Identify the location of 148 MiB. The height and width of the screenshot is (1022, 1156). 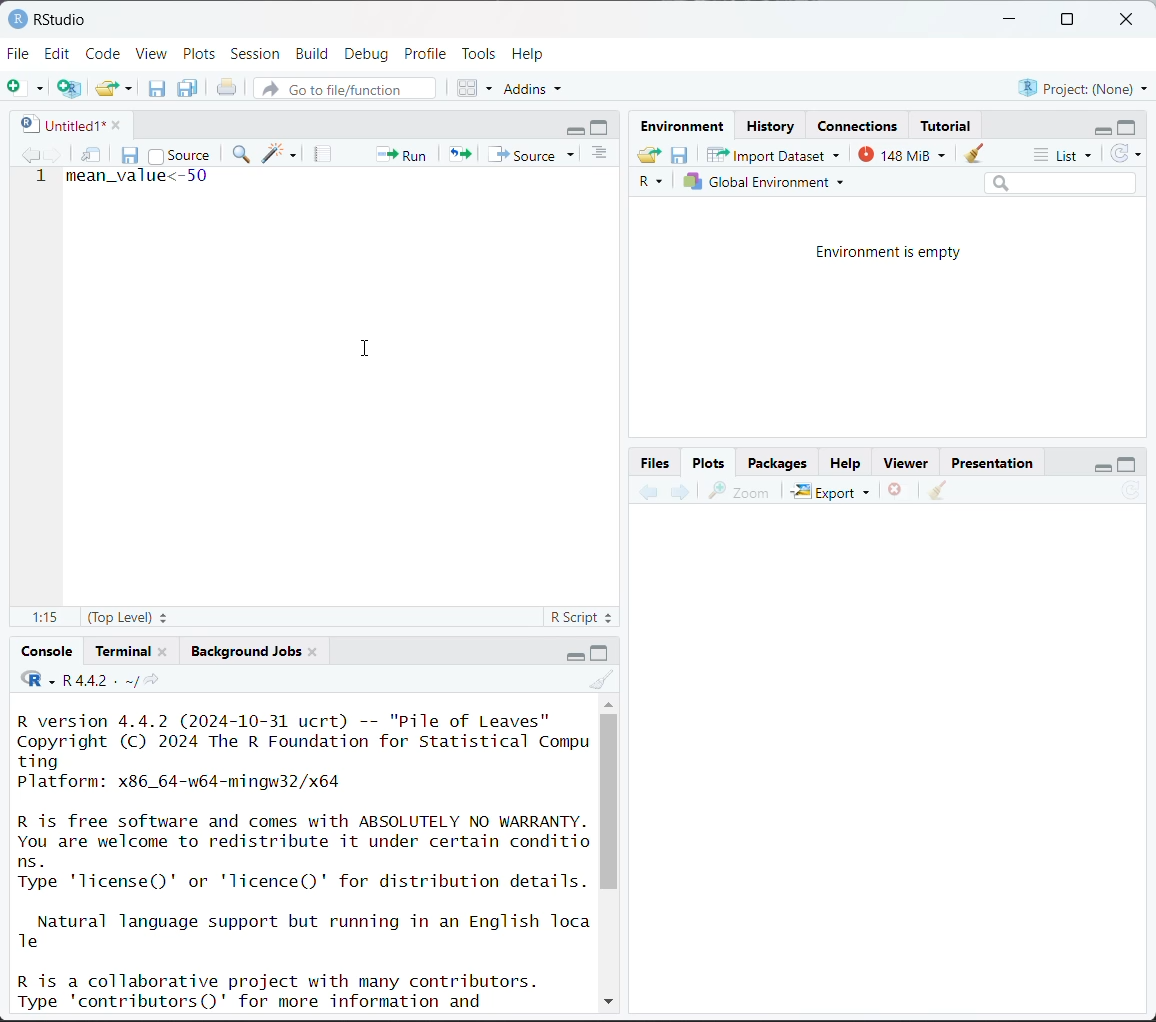
(897, 153).